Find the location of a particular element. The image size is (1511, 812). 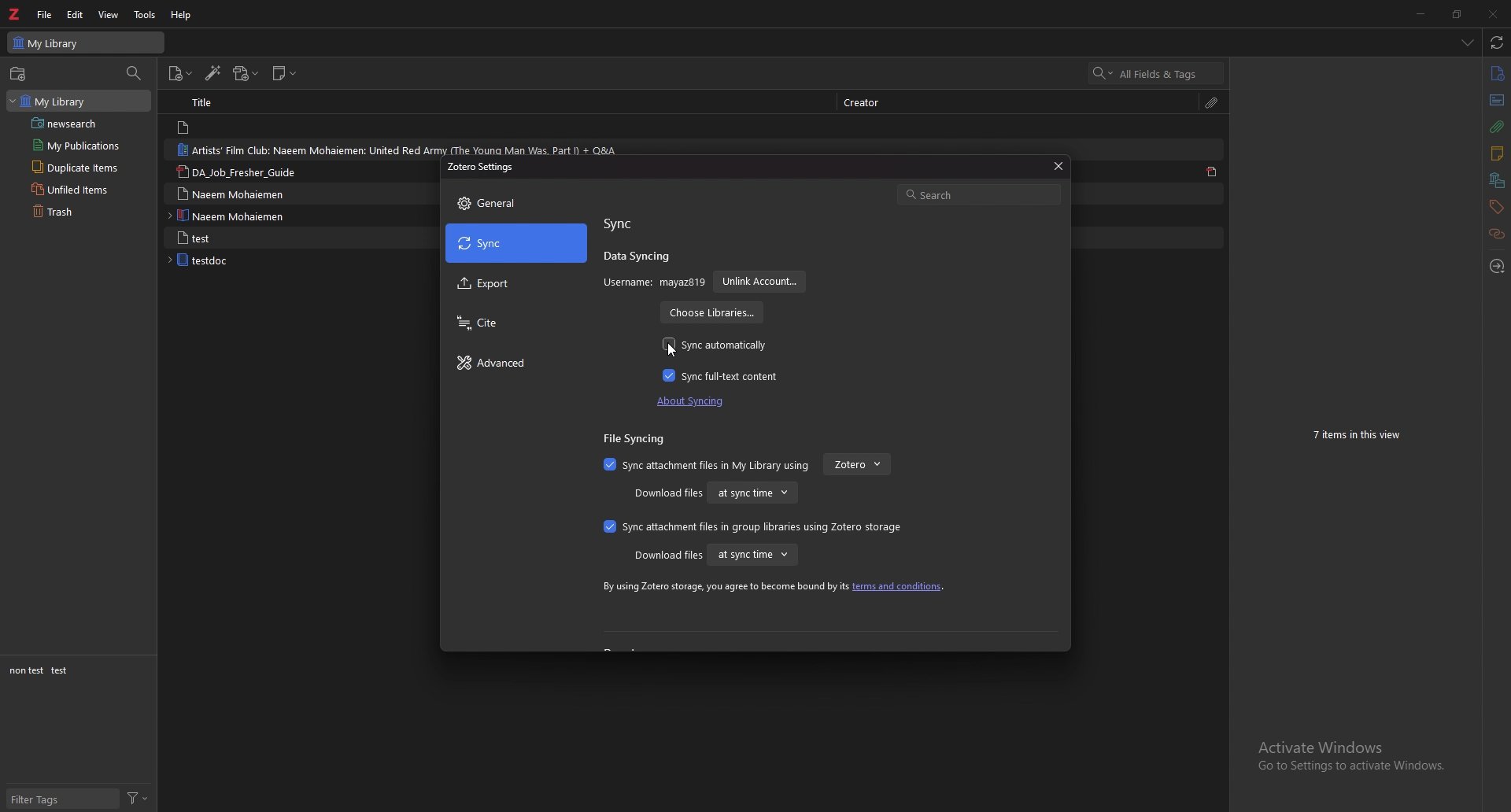

cite is located at coordinates (514, 323).